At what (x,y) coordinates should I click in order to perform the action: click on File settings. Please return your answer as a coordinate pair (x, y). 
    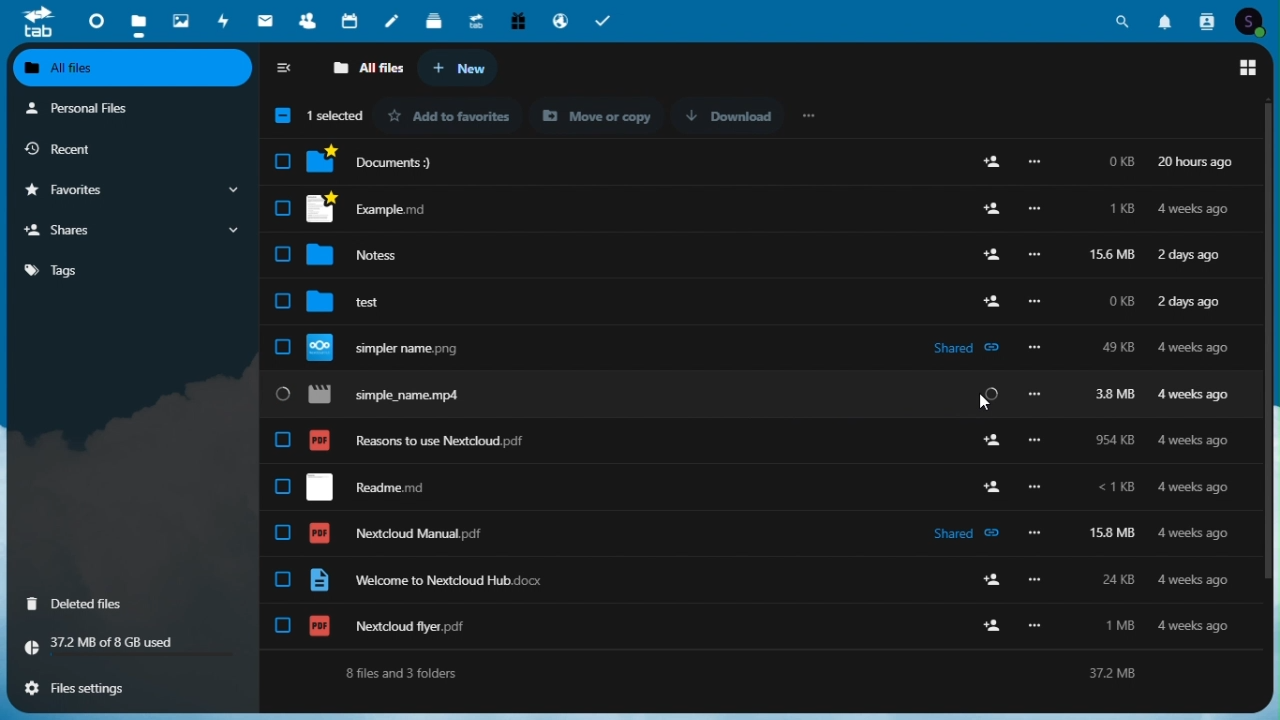
    Looking at the image, I should click on (87, 688).